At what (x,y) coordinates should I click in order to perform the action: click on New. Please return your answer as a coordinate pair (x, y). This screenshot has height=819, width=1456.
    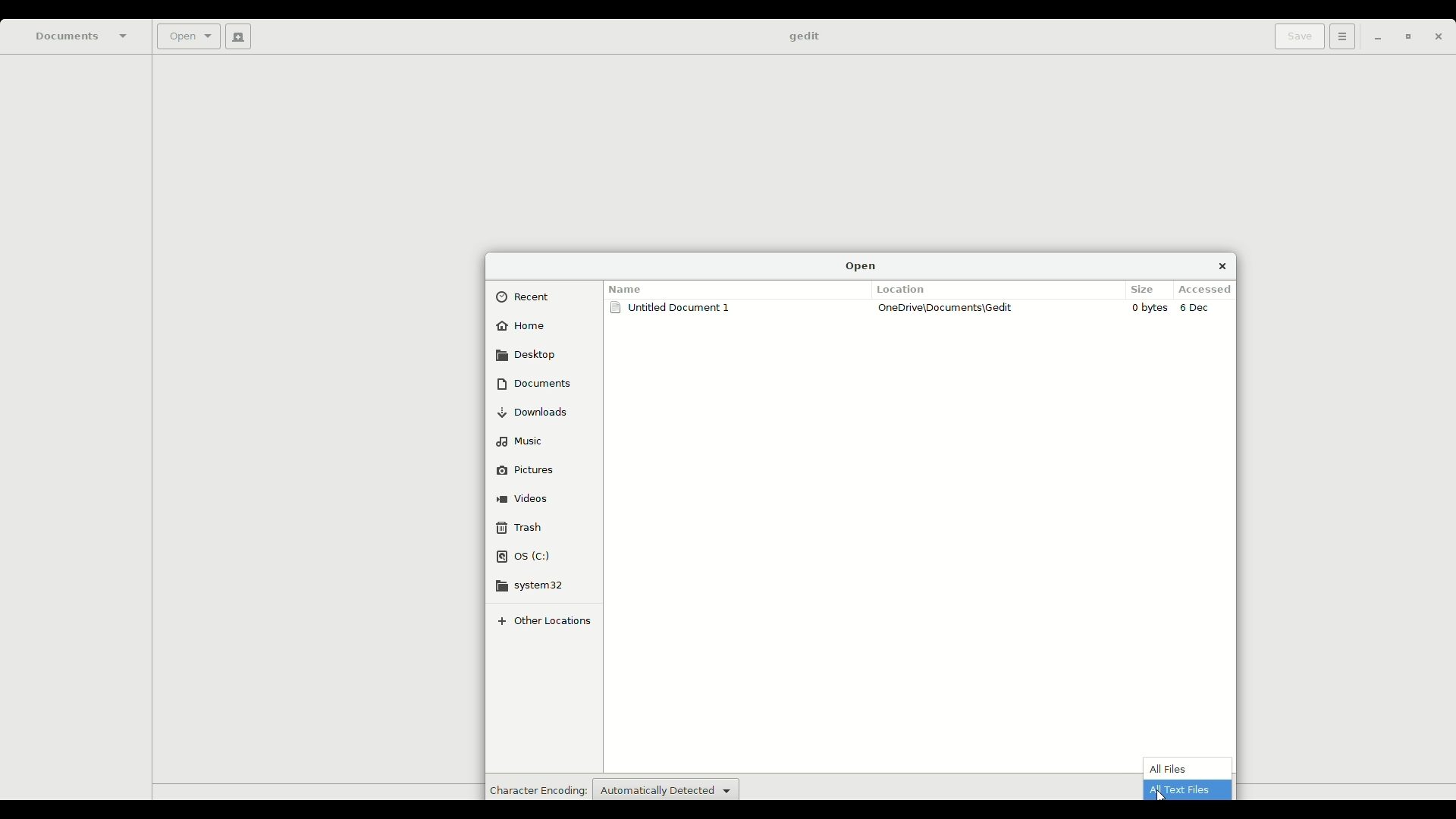
    Looking at the image, I should click on (235, 36).